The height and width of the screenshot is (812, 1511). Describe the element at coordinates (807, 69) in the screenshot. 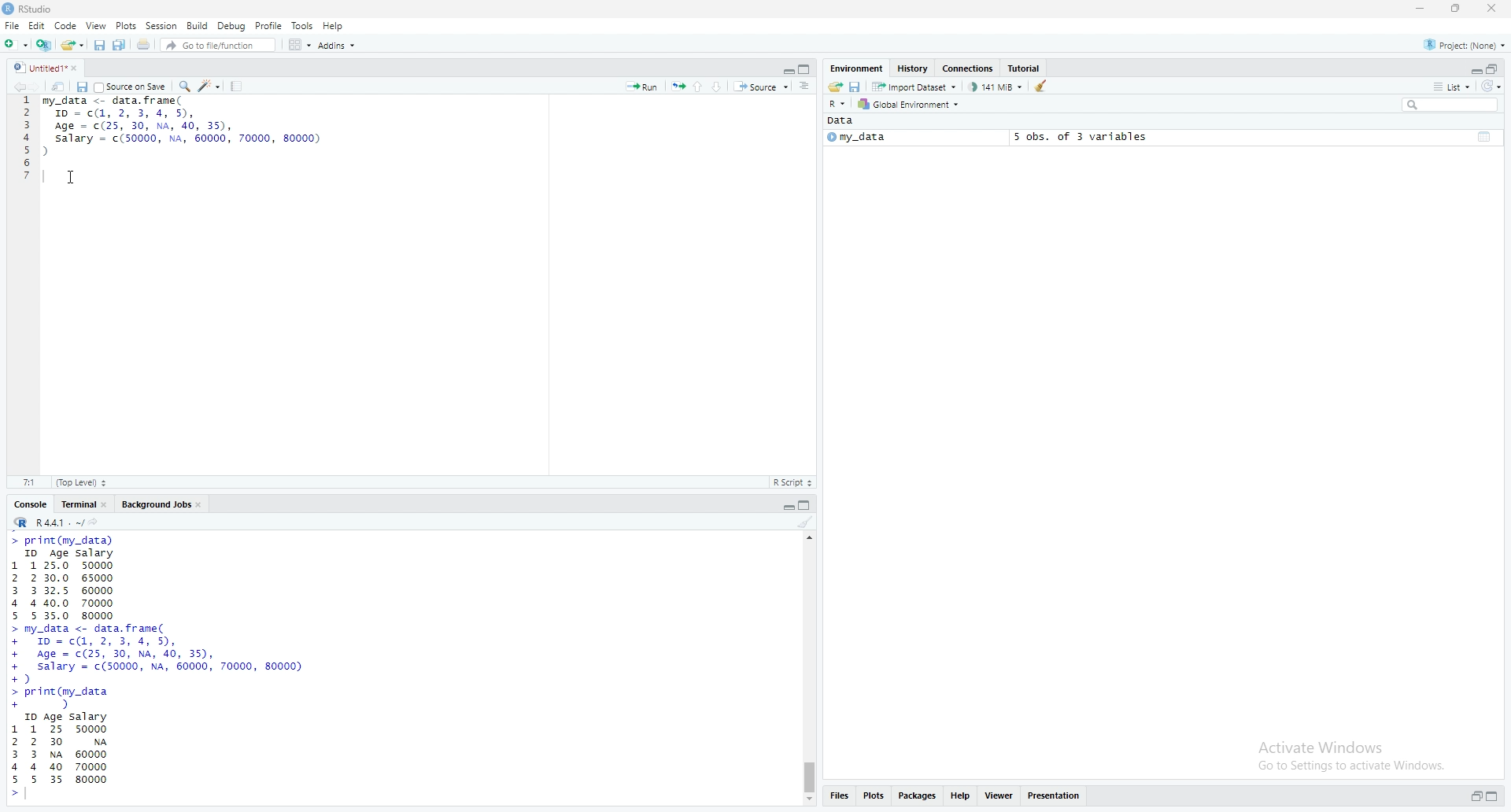

I see `collapse` at that location.